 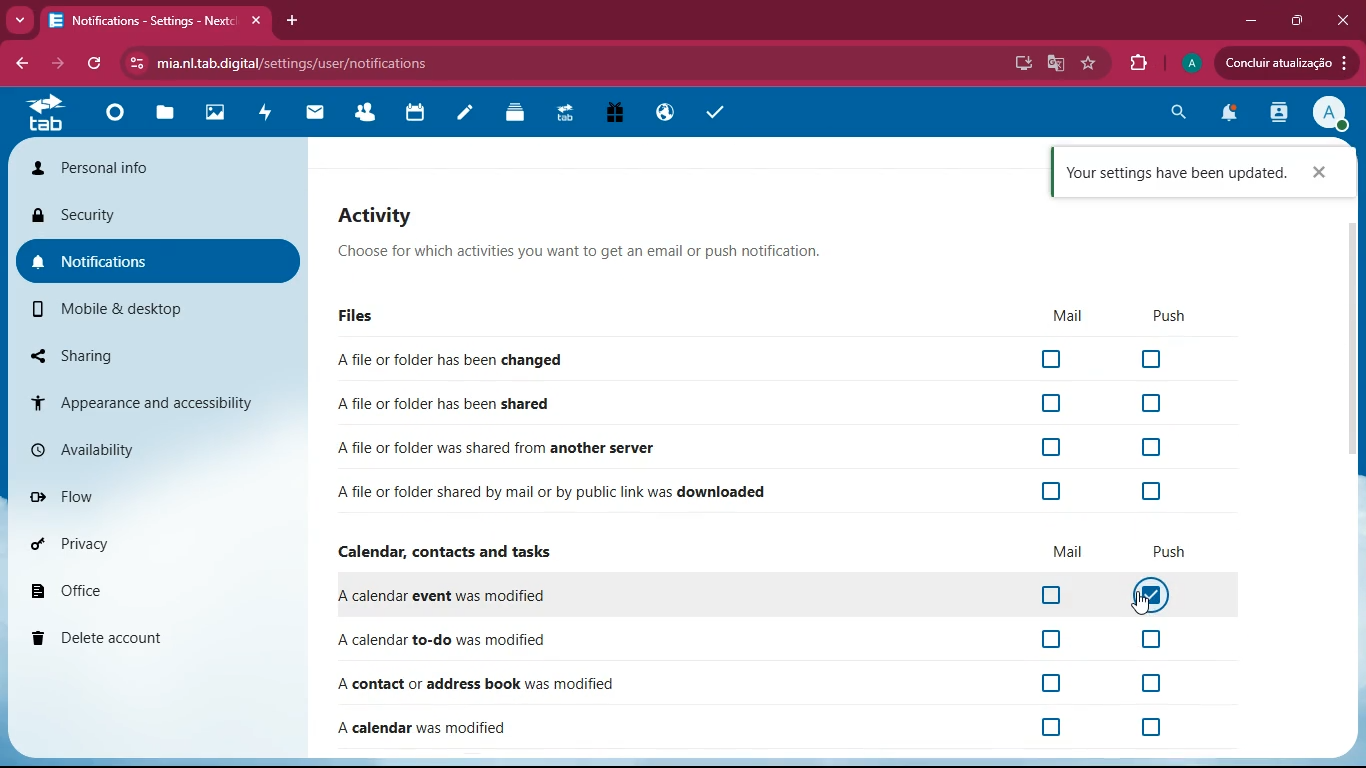 What do you see at coordinates (19, 64) in the screenshot?
I see `back` at bounding box center [19, 64].